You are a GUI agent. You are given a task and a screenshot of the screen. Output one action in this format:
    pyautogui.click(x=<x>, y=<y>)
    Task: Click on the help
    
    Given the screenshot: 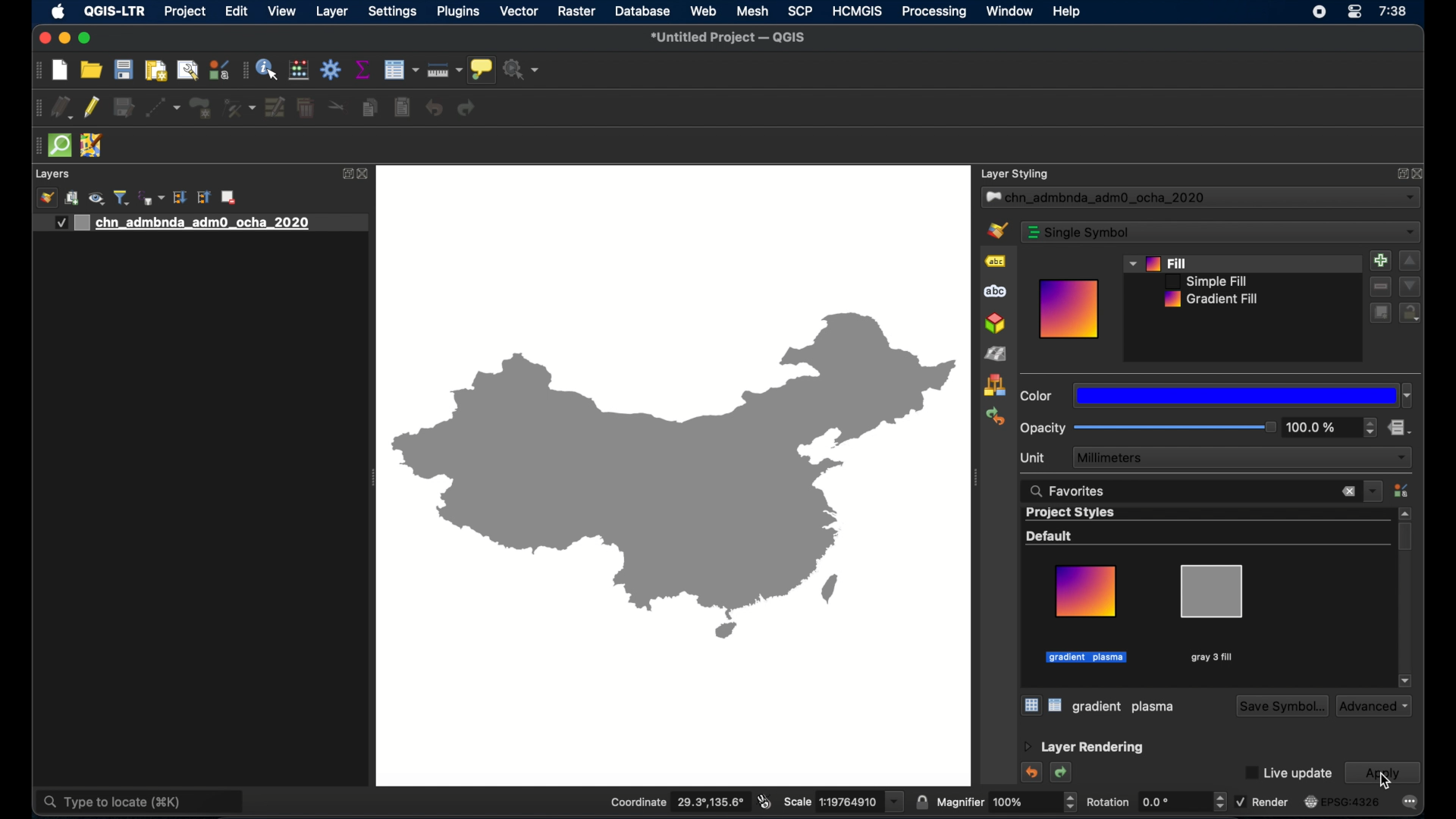 What is the action you would take?
    pyautogui.click(x=1066, y=12)
    